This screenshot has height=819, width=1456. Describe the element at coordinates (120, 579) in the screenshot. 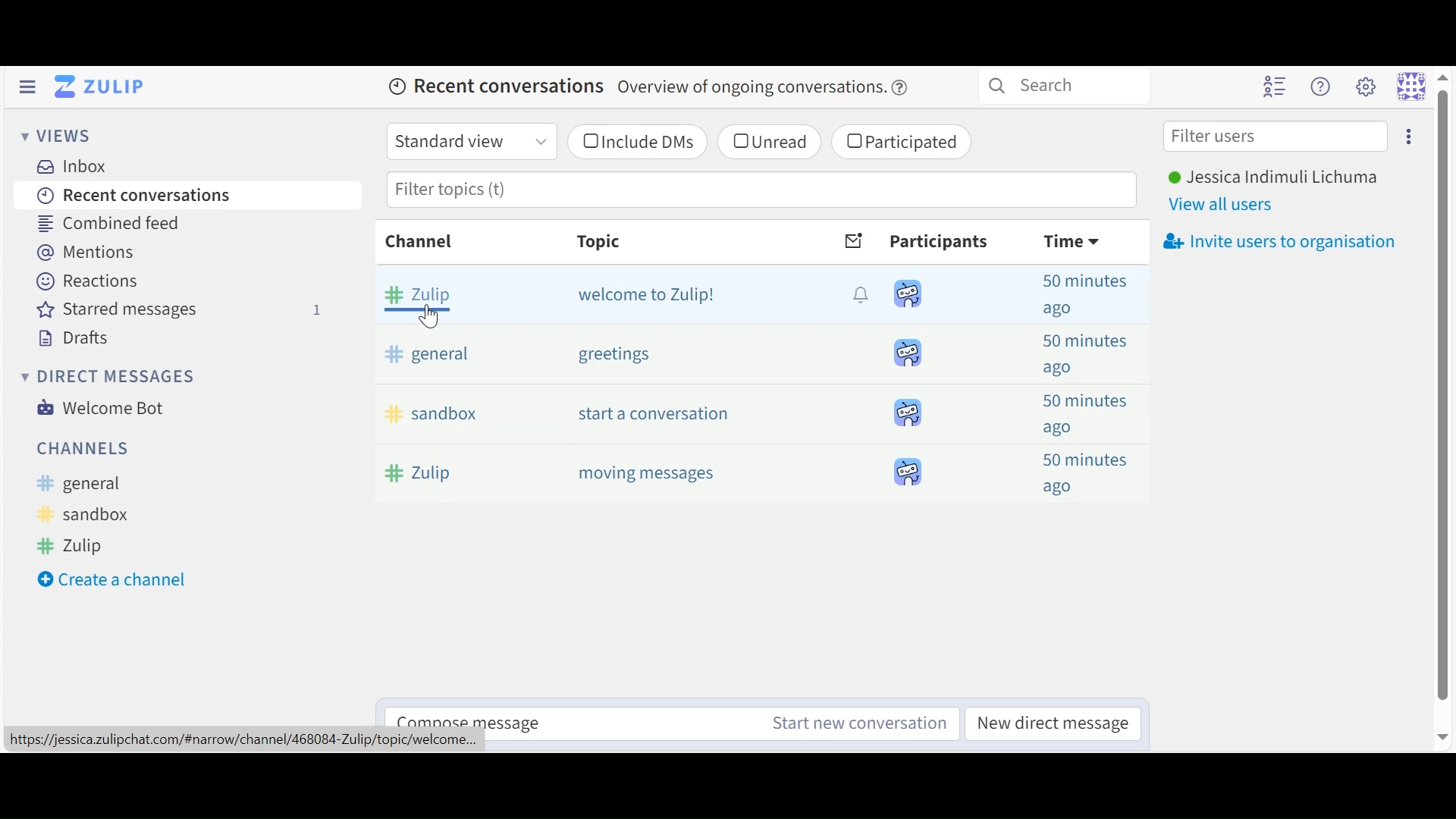

I see `Create a new Channel` at that location.